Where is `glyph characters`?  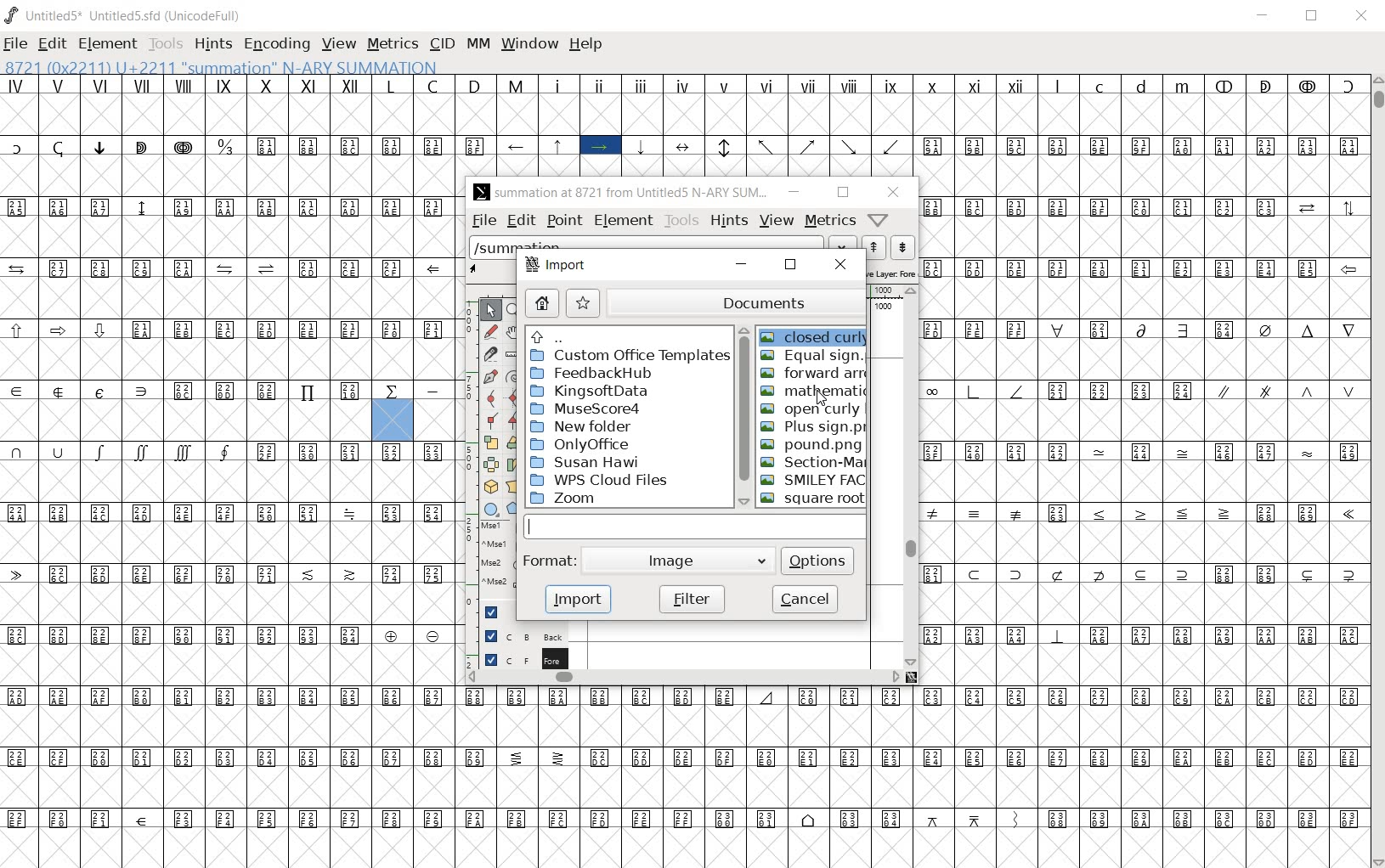
glyph characters is located at coordinates (913, 779).